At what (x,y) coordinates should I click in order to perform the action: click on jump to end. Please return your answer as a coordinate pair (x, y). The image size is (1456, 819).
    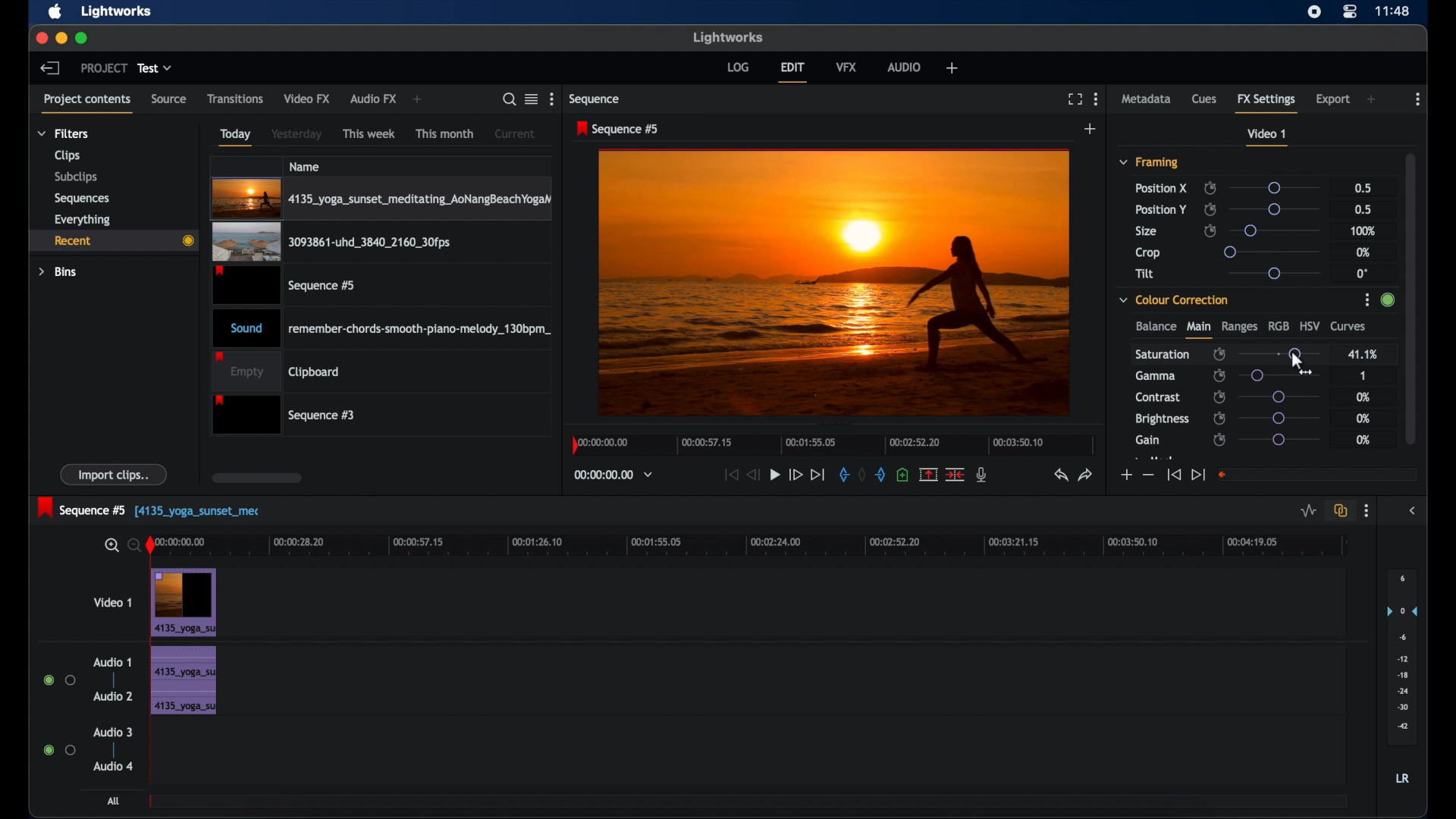
    Looking at the image, I should click on (818, 474).